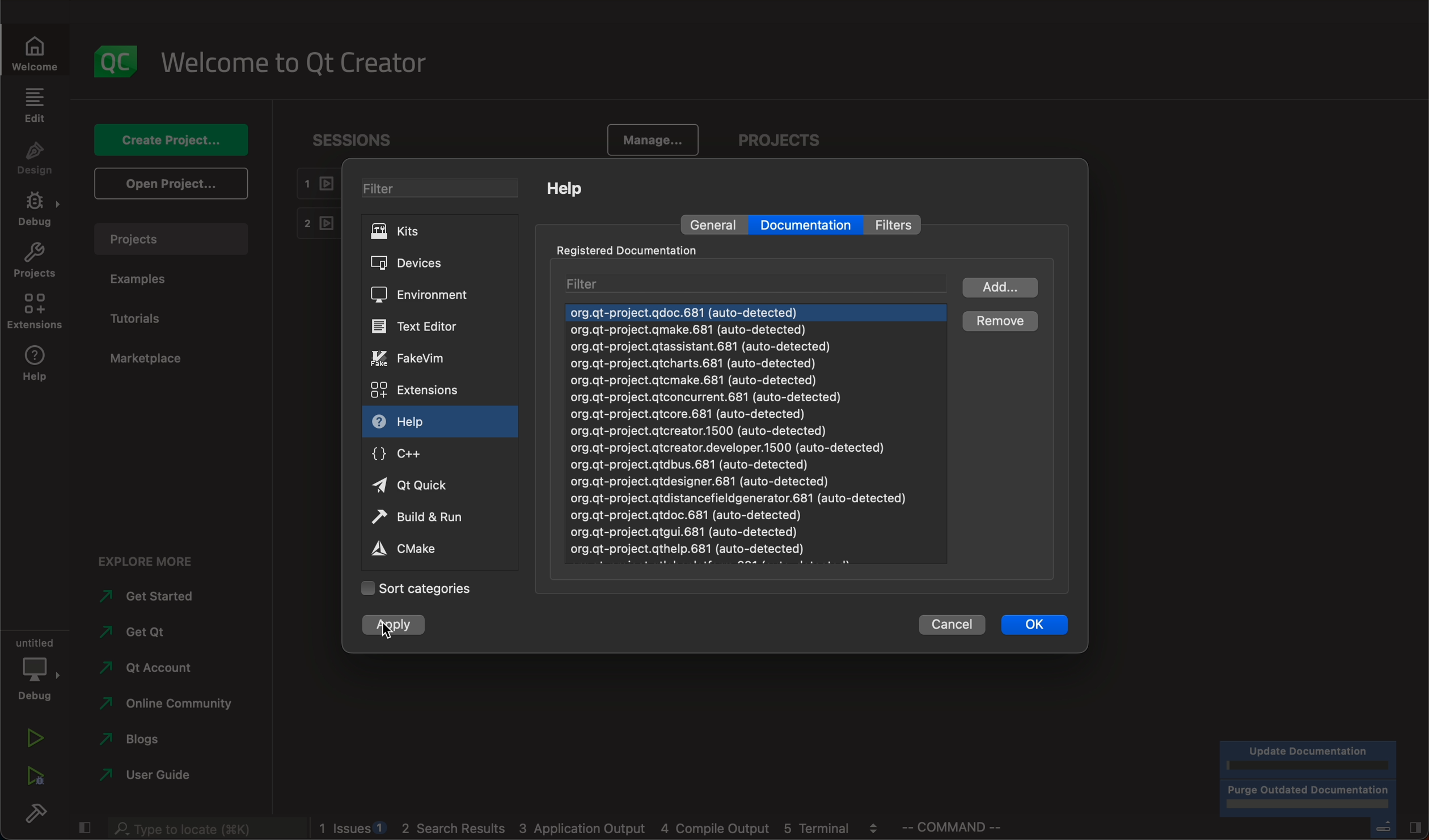 This screenshot has height=840, width=1429. I want to click on run debug, so click(34, 776).